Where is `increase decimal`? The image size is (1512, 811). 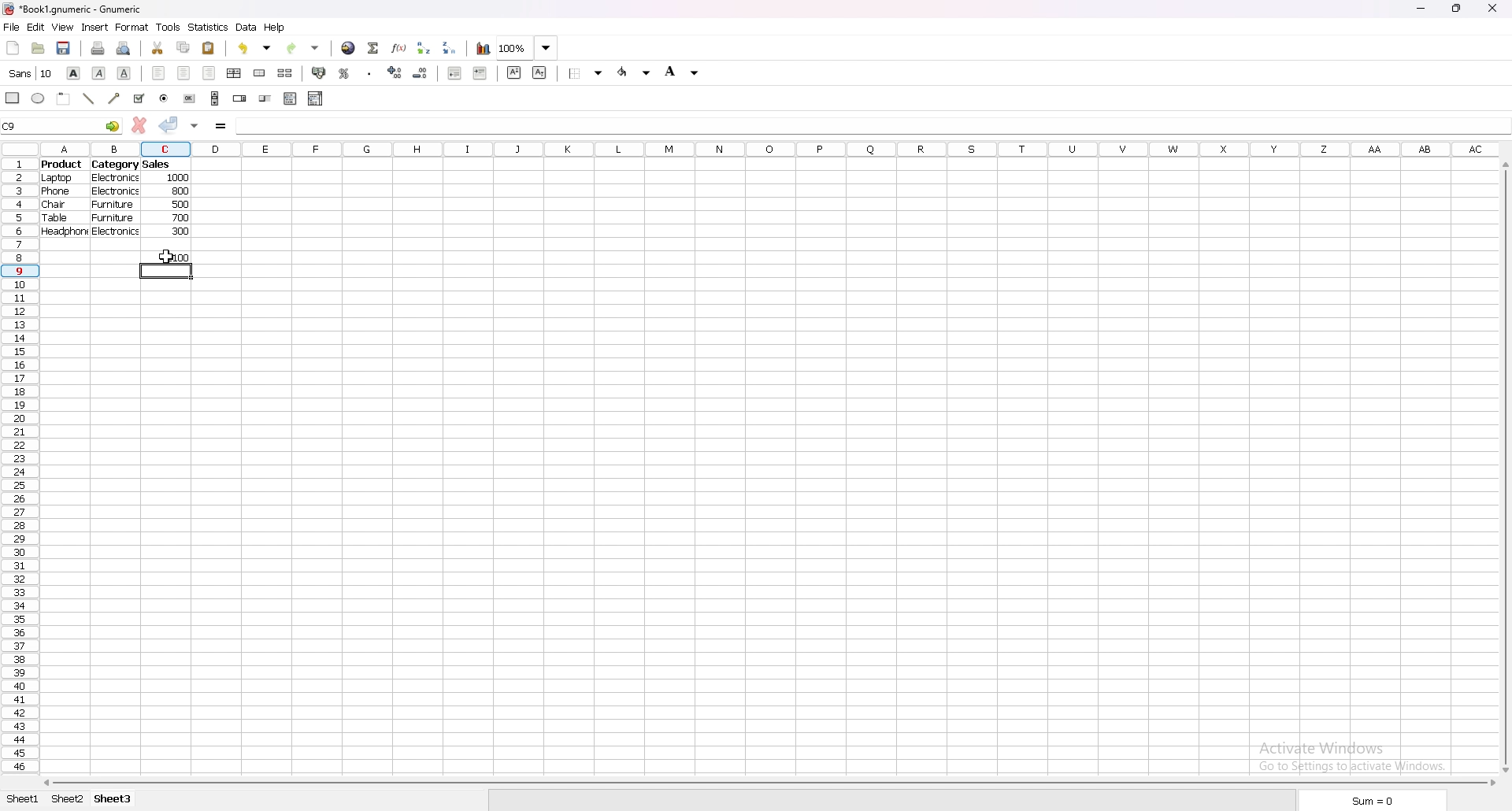 increase decimal is located at coordinates (395, 74).